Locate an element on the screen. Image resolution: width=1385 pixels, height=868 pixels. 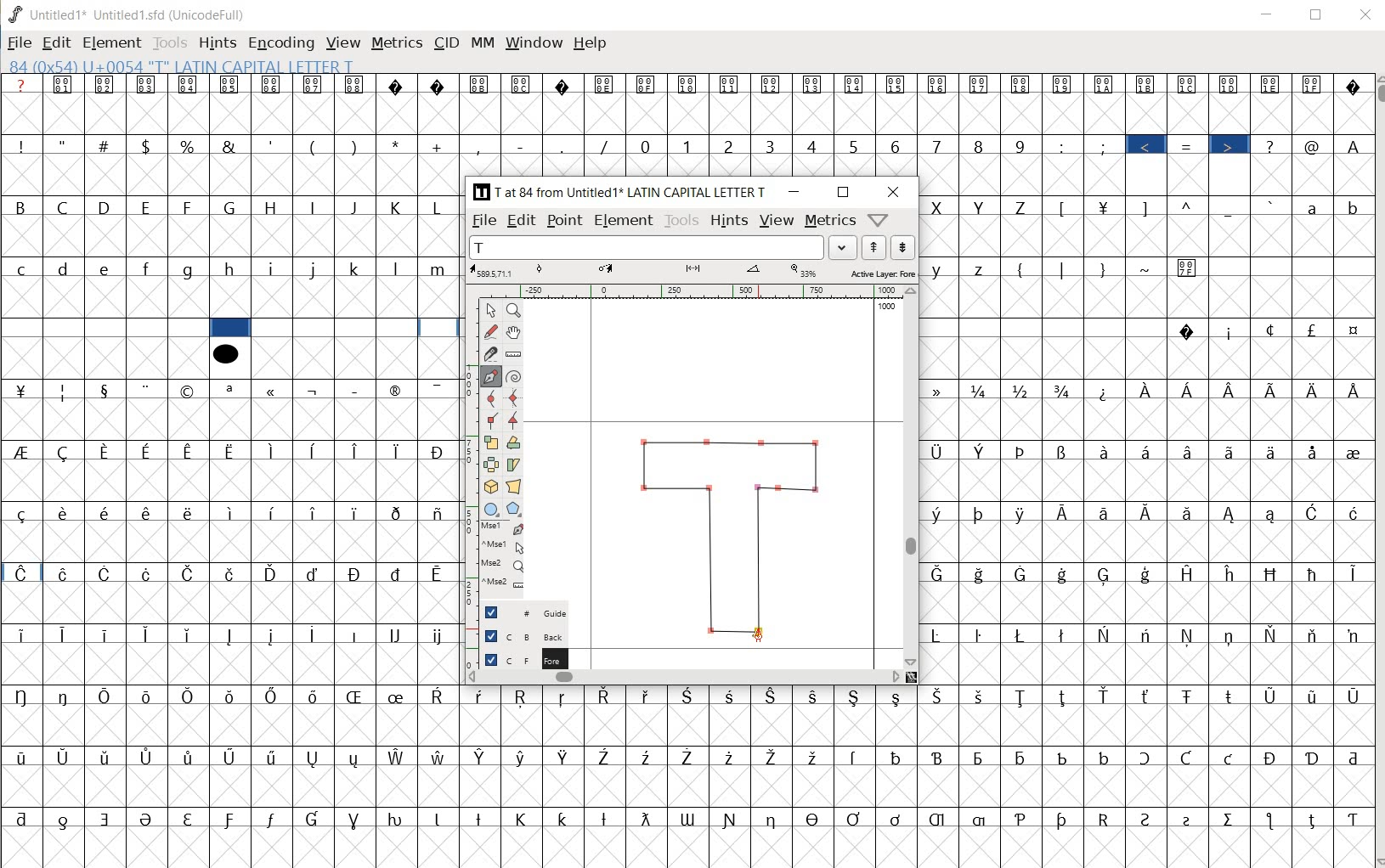
( is located at coordinates (314, 145).